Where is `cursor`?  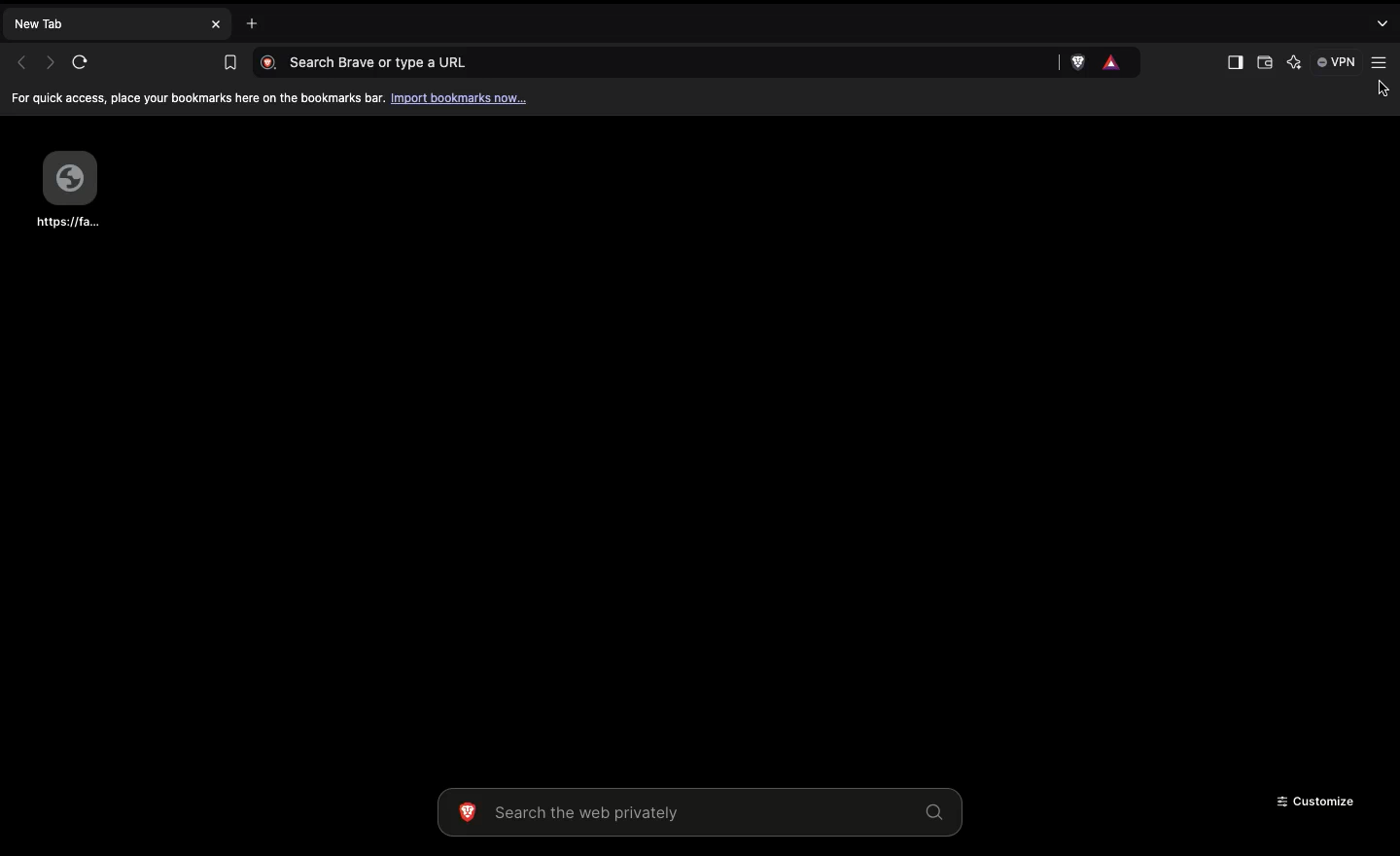
cursor is located at coordinates (1378, 91).